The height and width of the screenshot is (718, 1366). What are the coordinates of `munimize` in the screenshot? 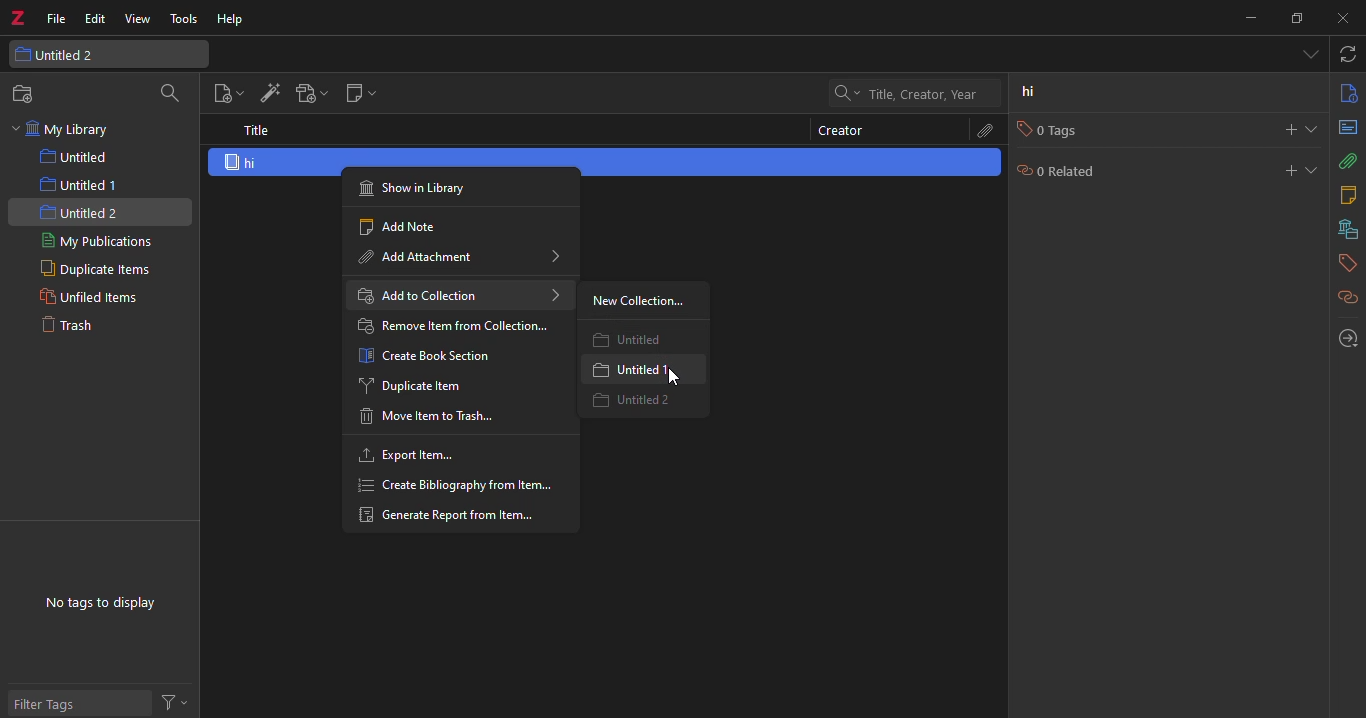 It's located at (1249, 17).